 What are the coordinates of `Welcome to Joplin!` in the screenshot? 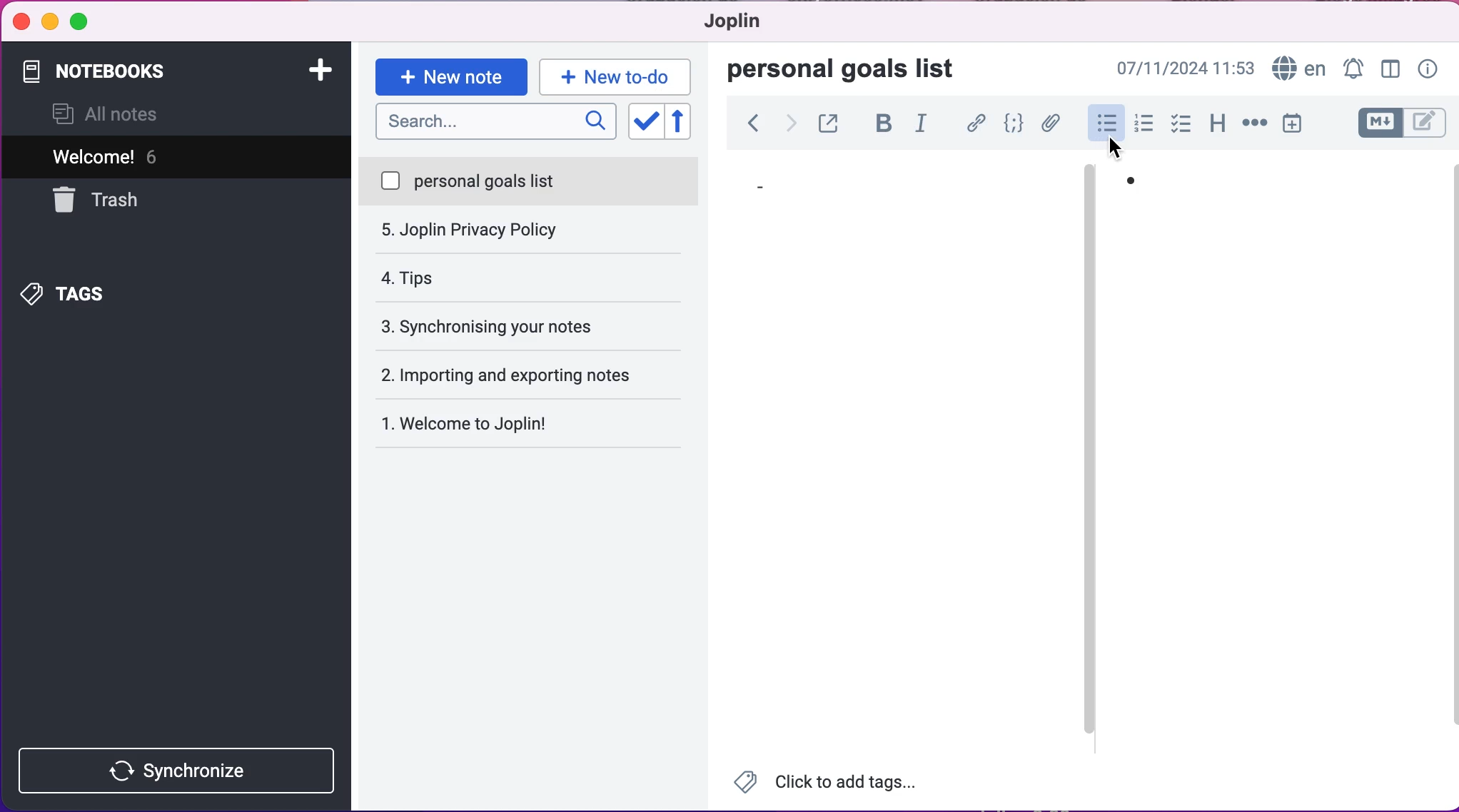 It's located at (475, 423).